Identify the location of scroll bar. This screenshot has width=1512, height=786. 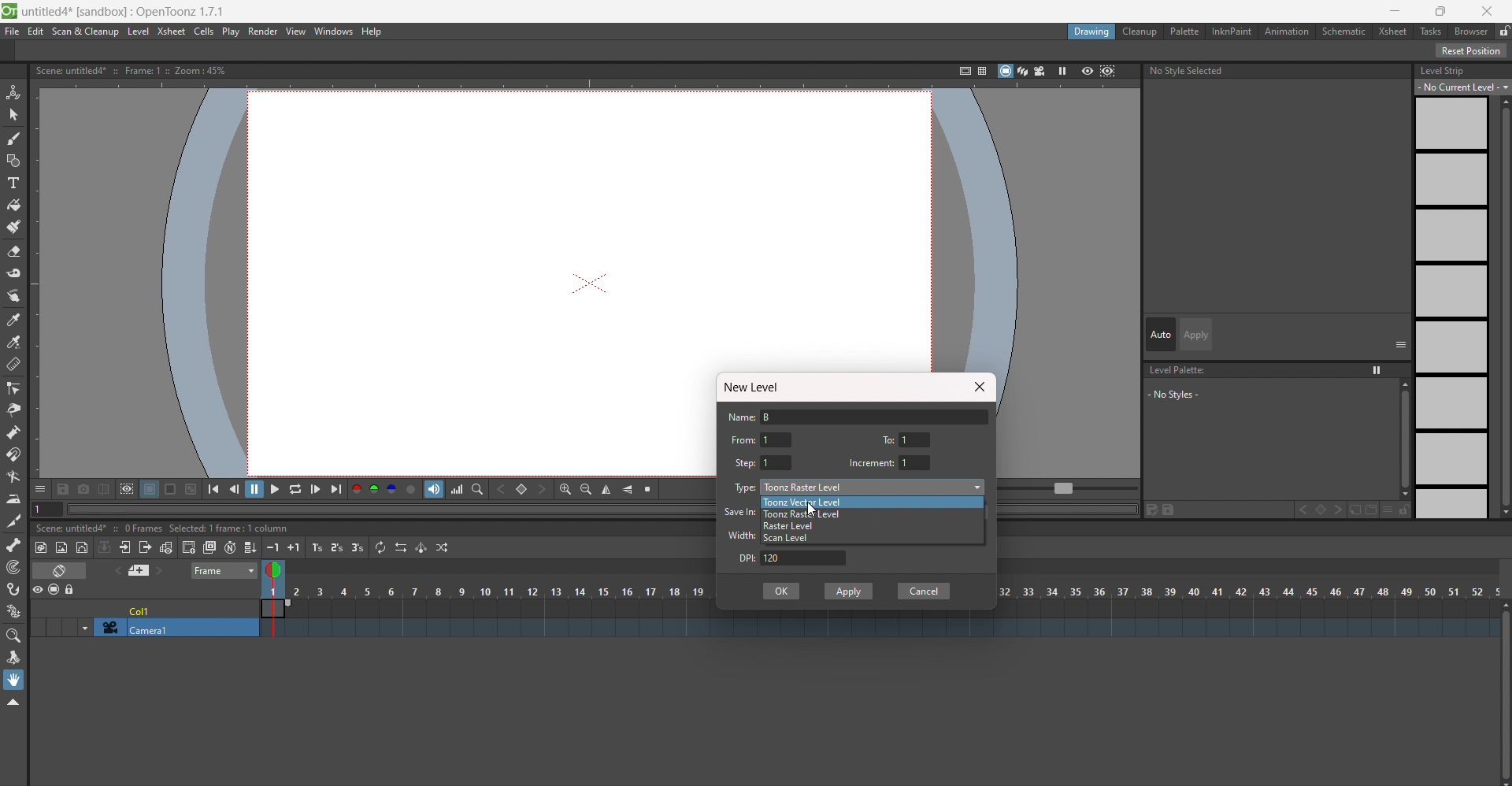
(1400, 439).